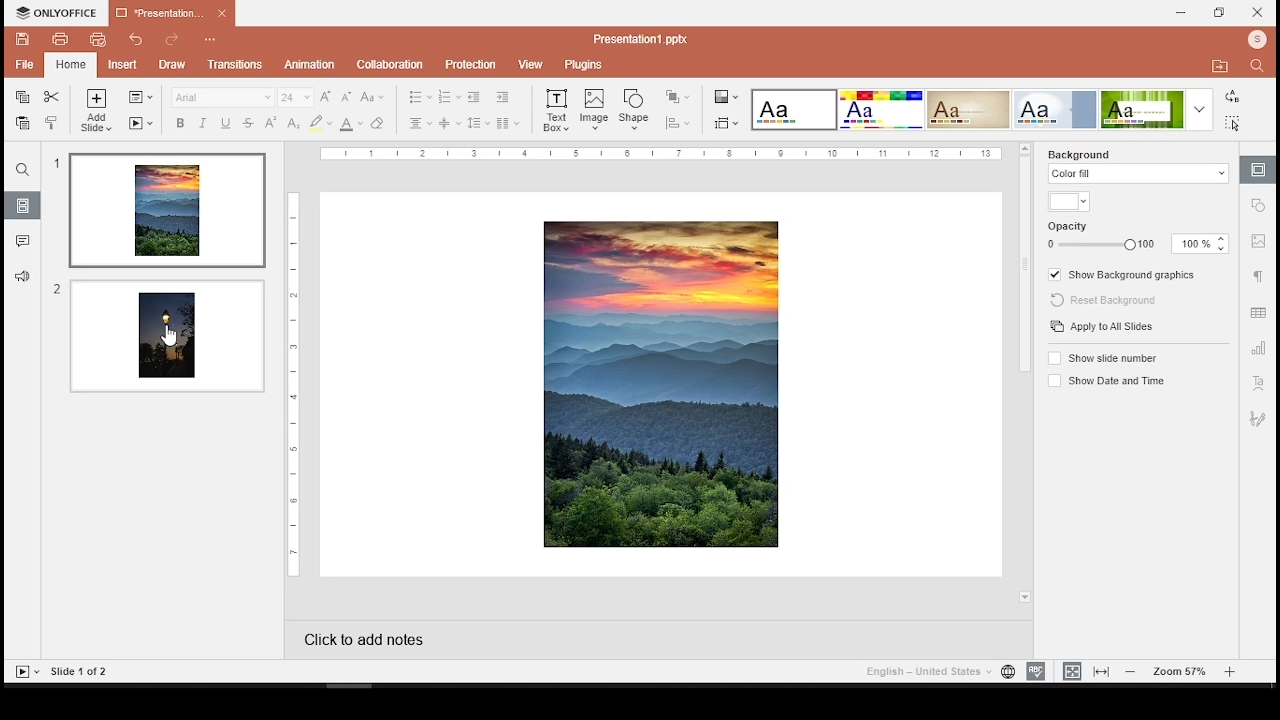  What do you see at coordinates (473, 99) in the screenshot?
I see `decrease indent` at bounding box center [473, 99].